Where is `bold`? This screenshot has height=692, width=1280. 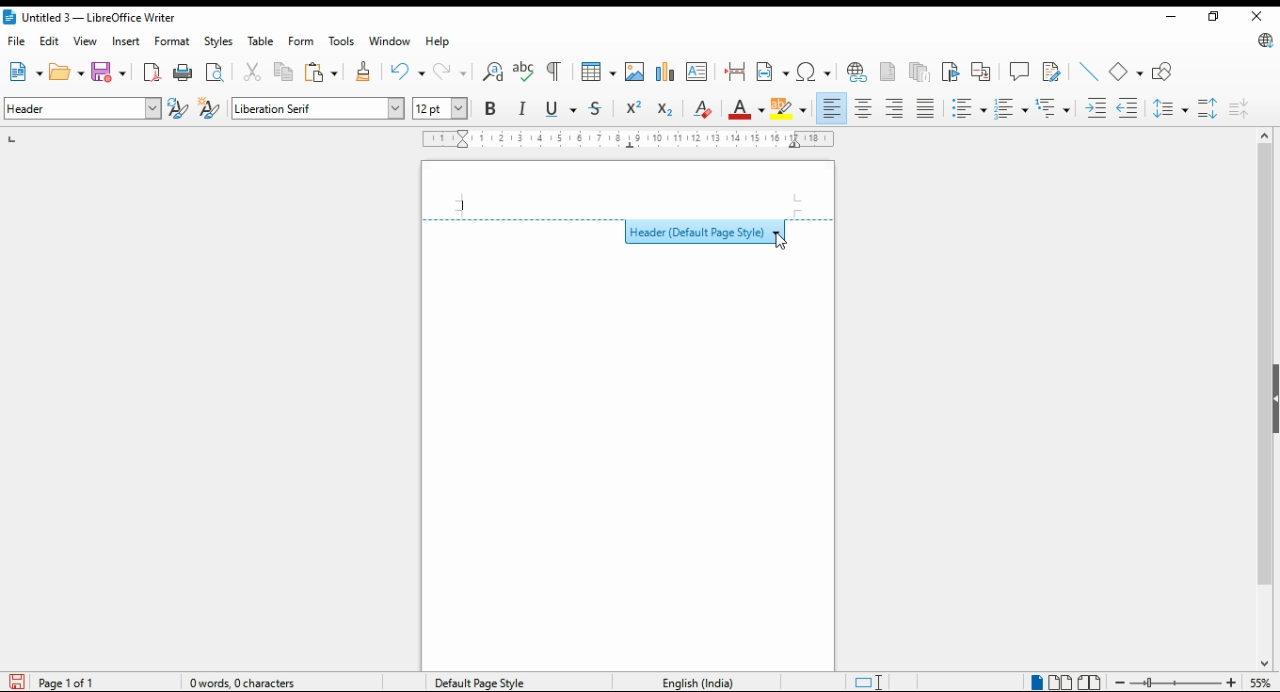 bold is located at coordinates (490, 107).